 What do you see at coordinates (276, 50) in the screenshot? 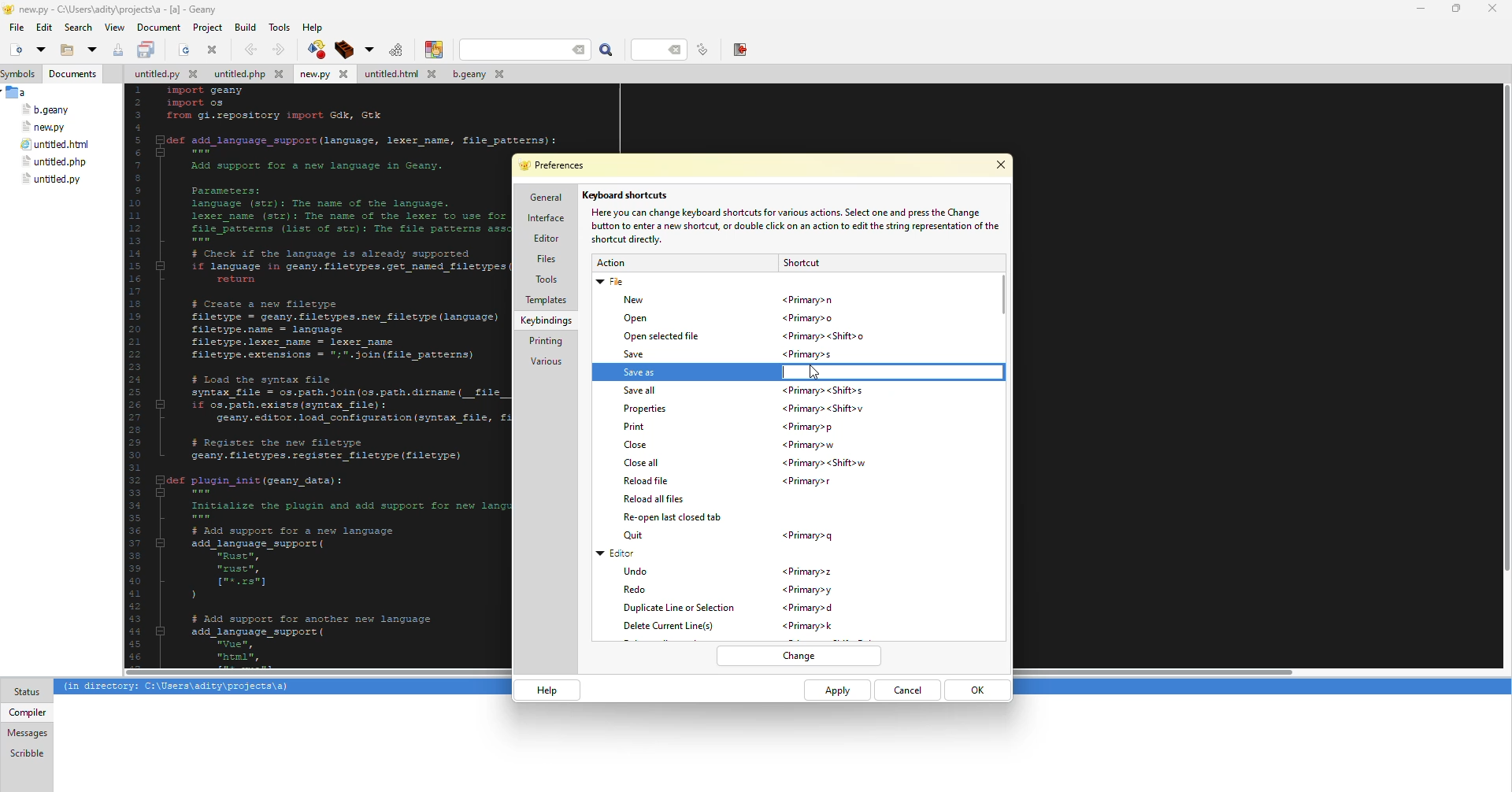
I see `forward` at bounding box center [276, 50].